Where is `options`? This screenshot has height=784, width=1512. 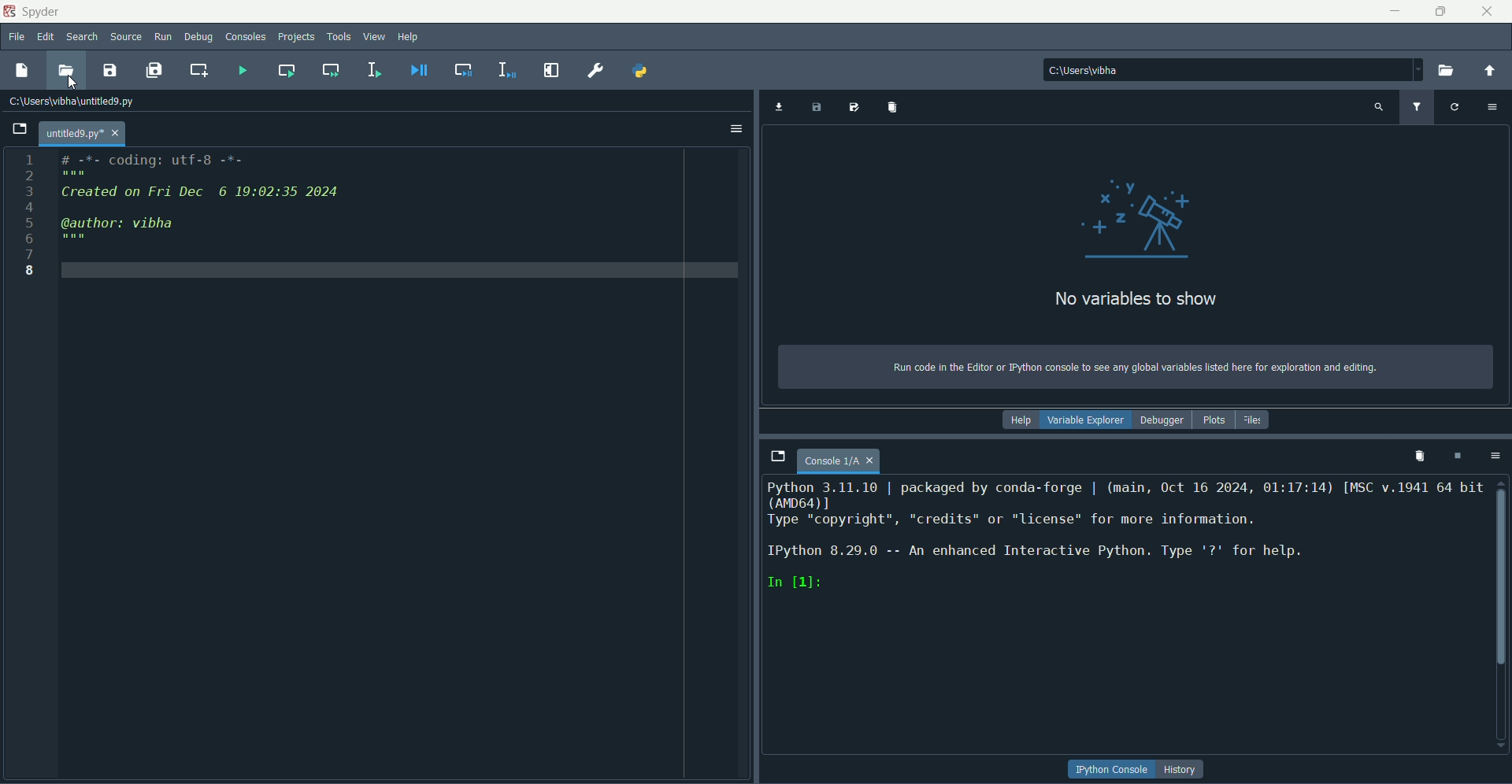
options is located at coordinates (1499, 457).